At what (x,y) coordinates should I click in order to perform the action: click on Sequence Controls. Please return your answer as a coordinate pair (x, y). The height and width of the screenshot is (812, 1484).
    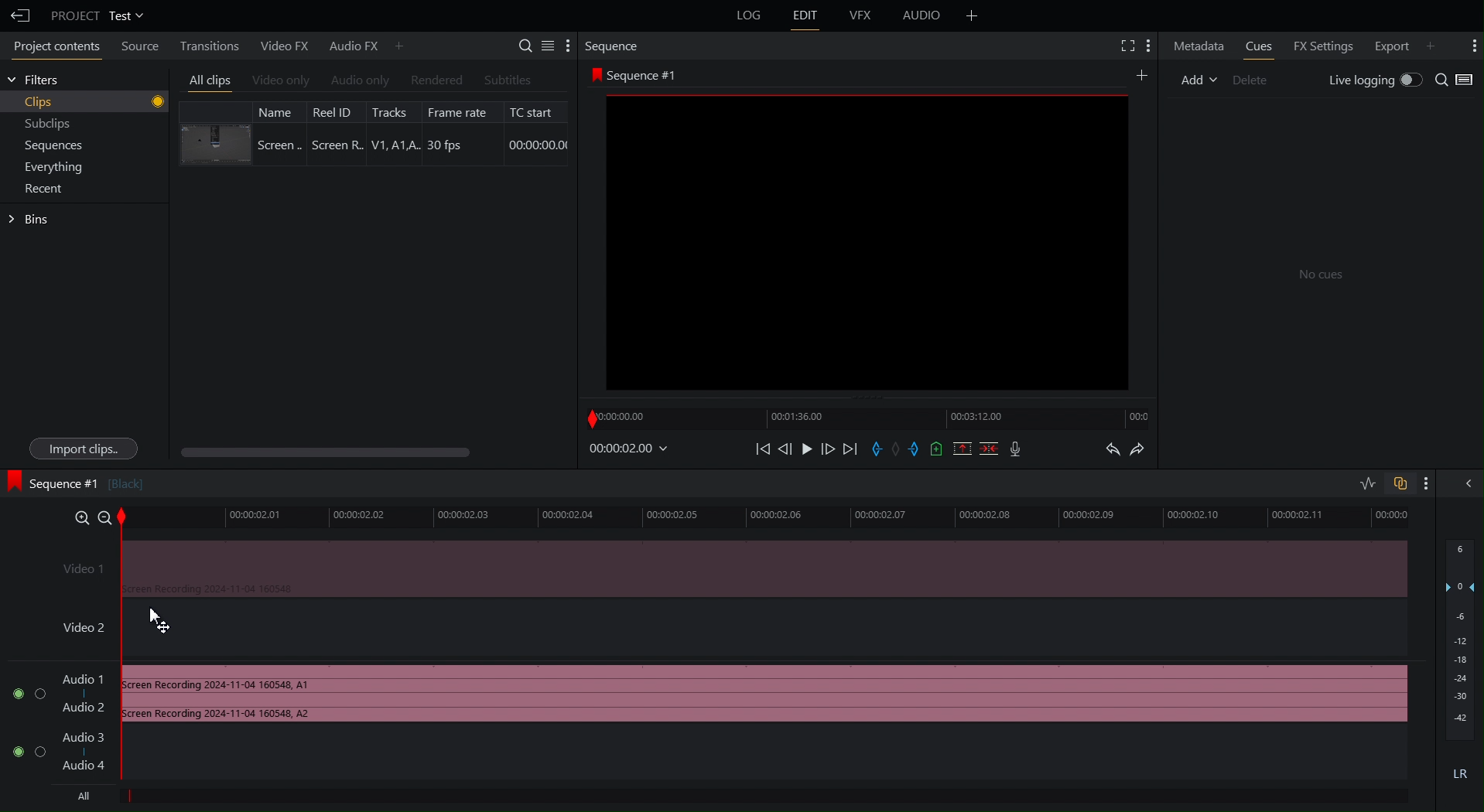
    Looking at the image, I should click on (888, 449).